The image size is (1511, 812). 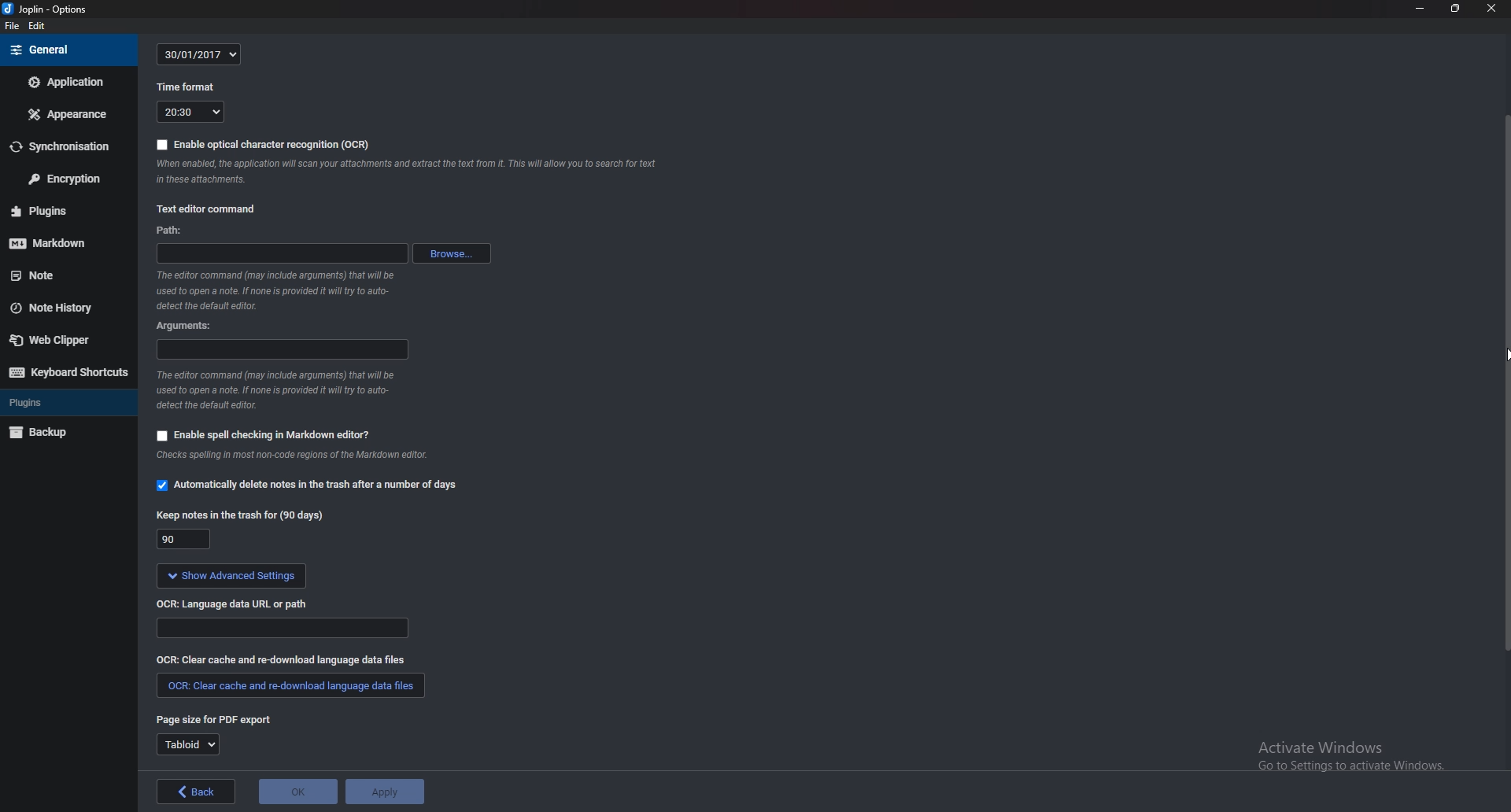 What do you see at coordinates (278, 254) in the screenshot?
I see `path` at bounding box center [278, 254].